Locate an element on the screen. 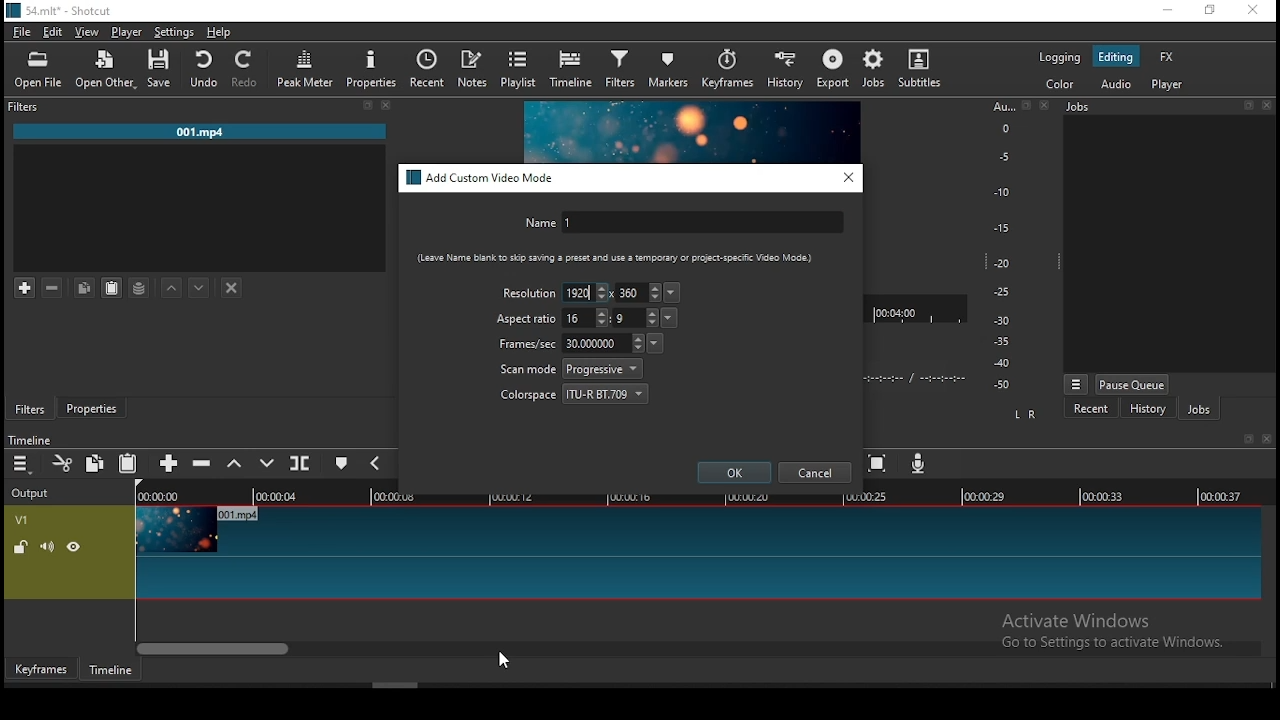  filters is located at coordinates (30, 409).